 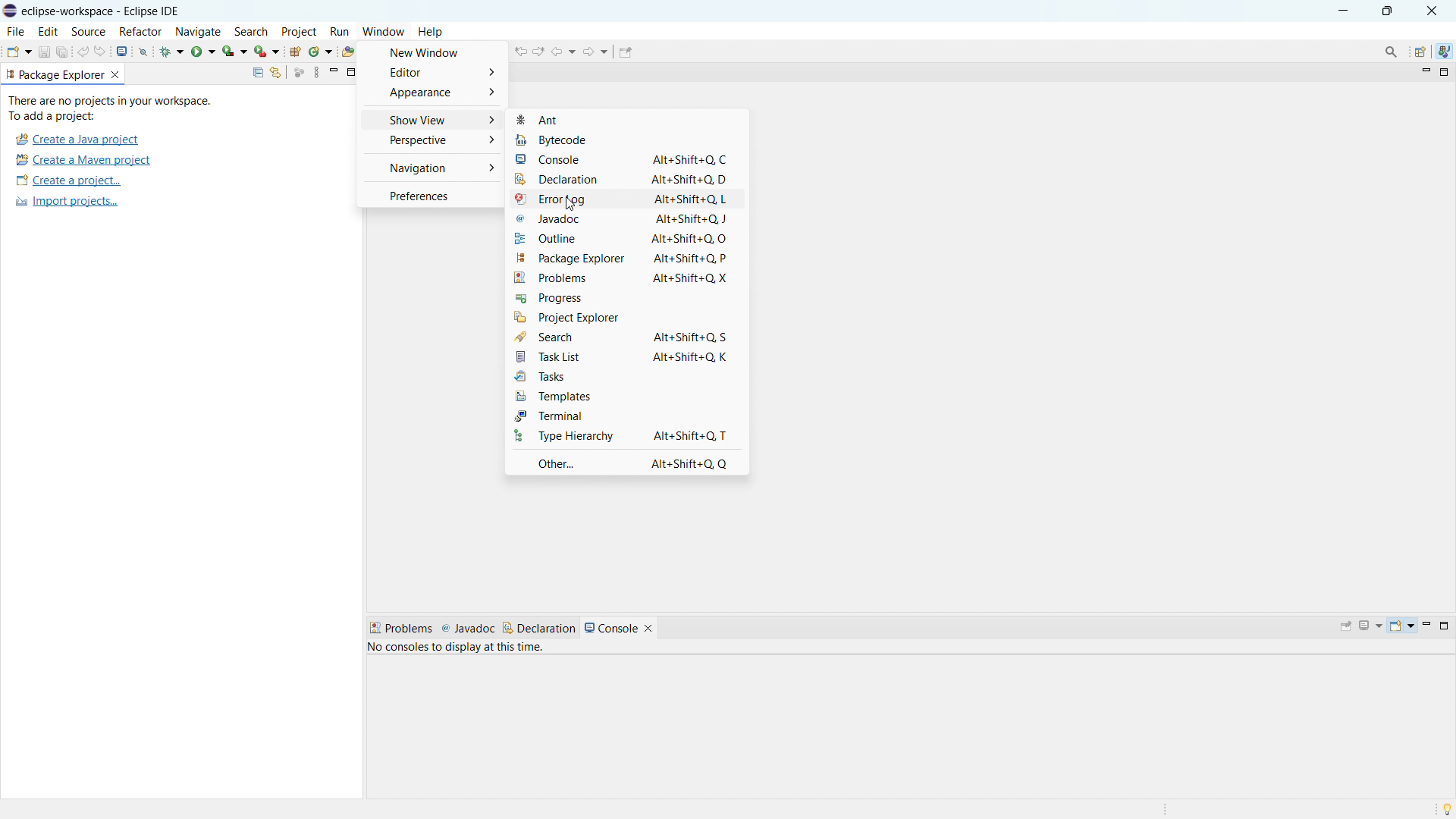 What do you see at coordinates (625, 278) in the screenshot?
I see `Problems    Alt+Shift+Q, X` at bounding box center [625, 278].